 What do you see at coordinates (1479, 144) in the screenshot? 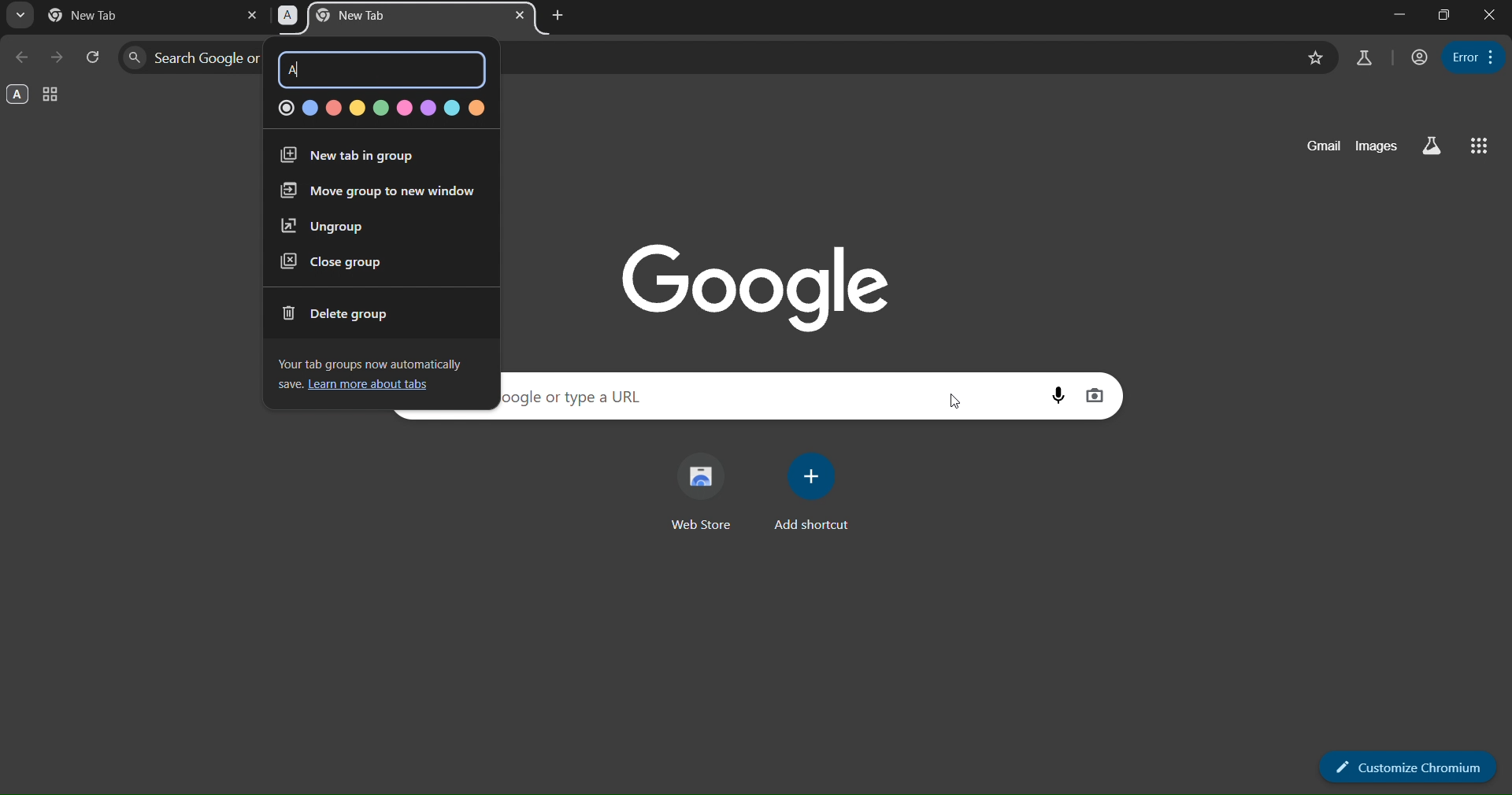
I see `google apps` at bounding box center [1479, 144].